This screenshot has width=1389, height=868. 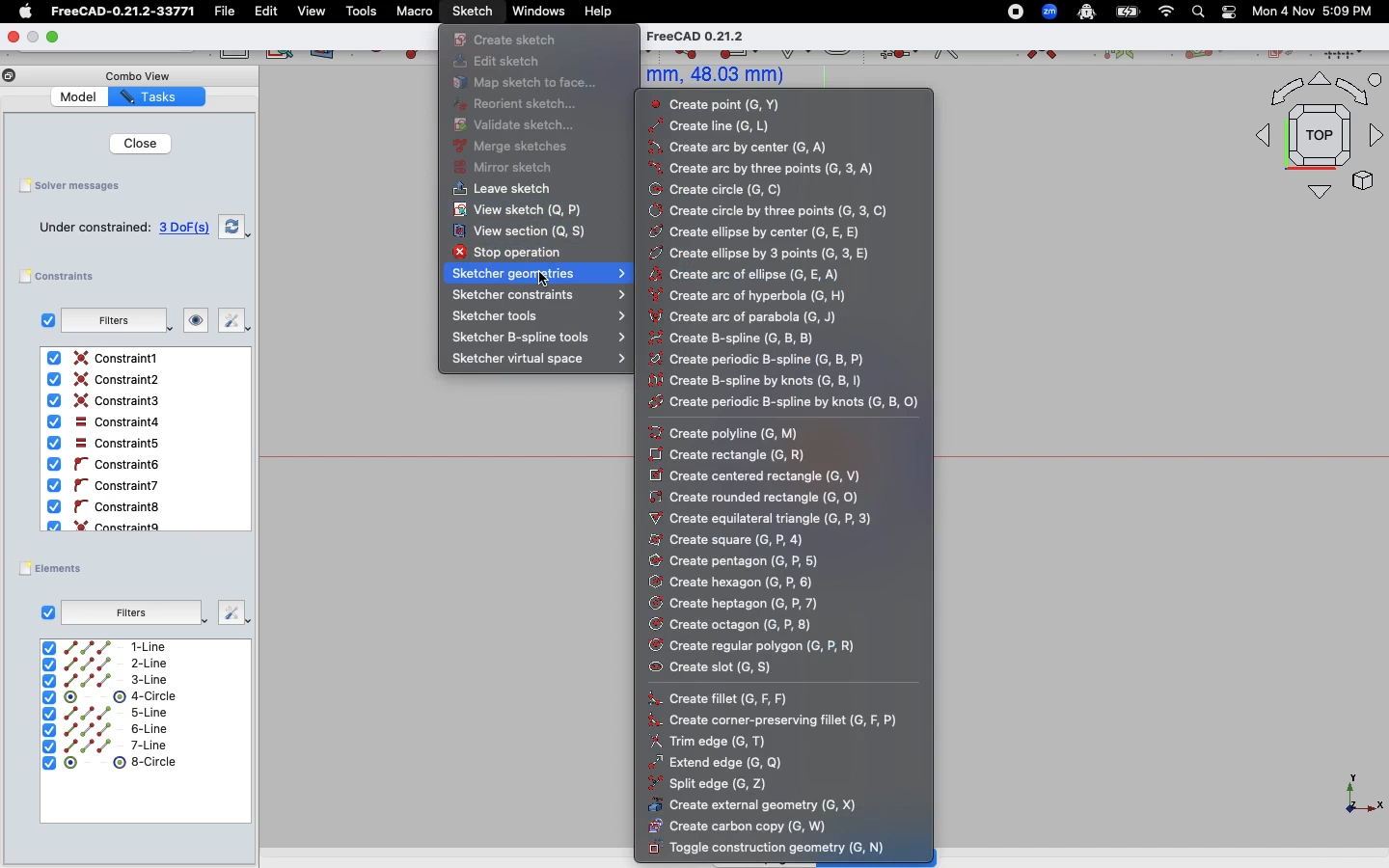 What do you see at coordinates (738, 453) in the screenshot?
I see `Create rectangle (G, R)` at bounding box center [738, 453].